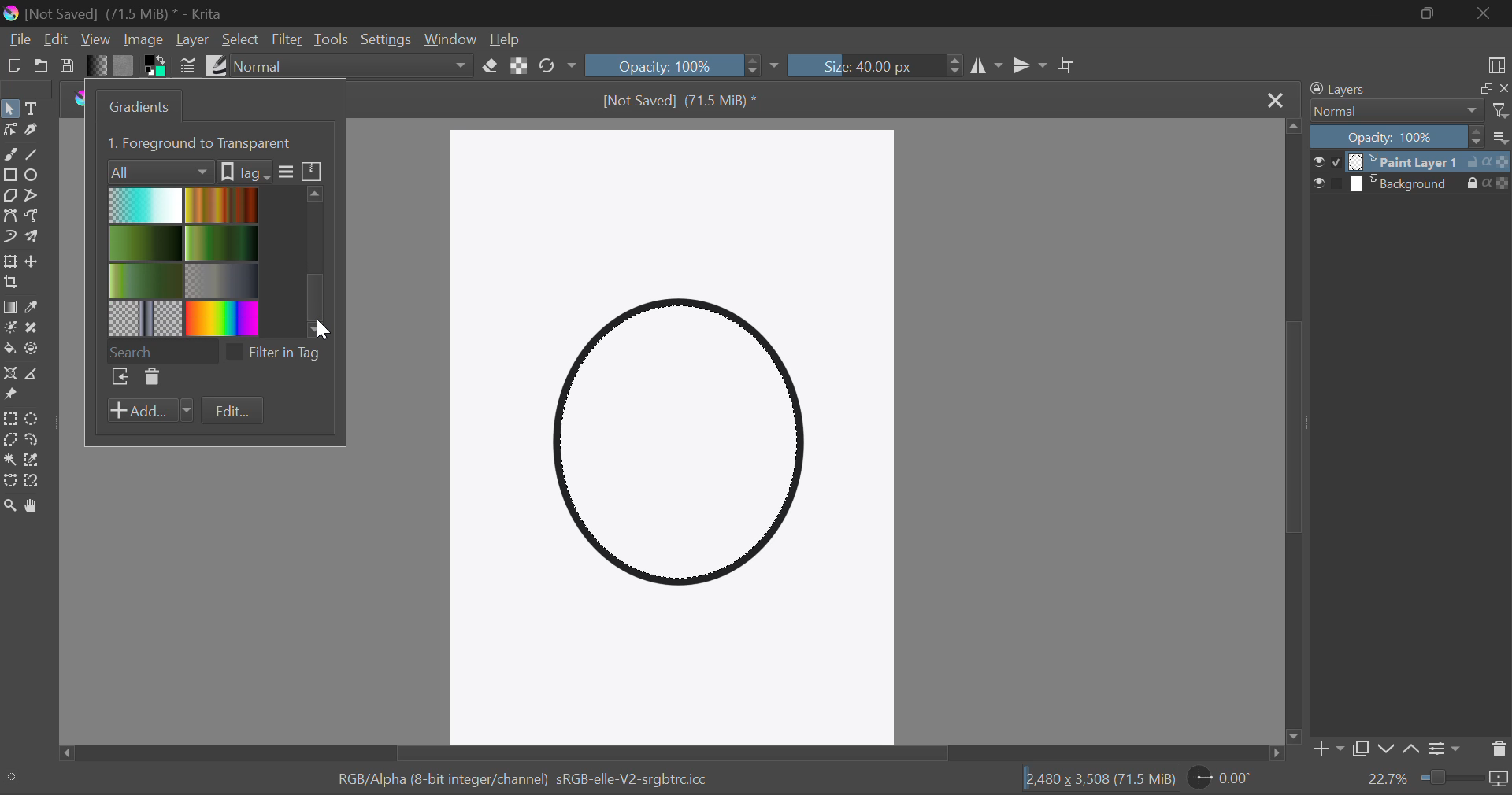 The image size is (1512, 795). Describe the element at coordinates (878, 65) in the screenshot. I see `Brush Size` at that location.